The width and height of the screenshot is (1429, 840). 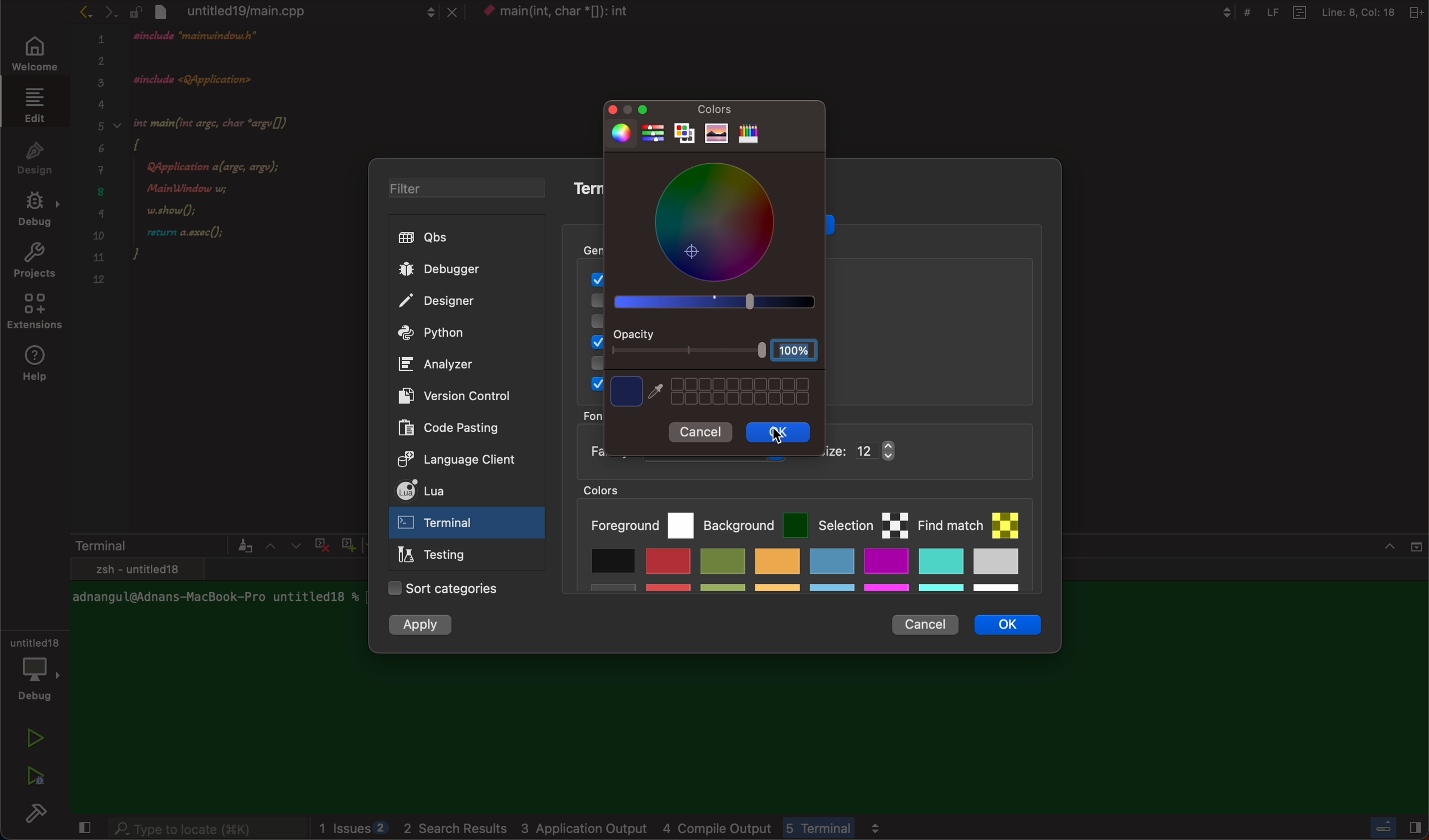 I want to click on colors selections, so click(x=711, y=391).